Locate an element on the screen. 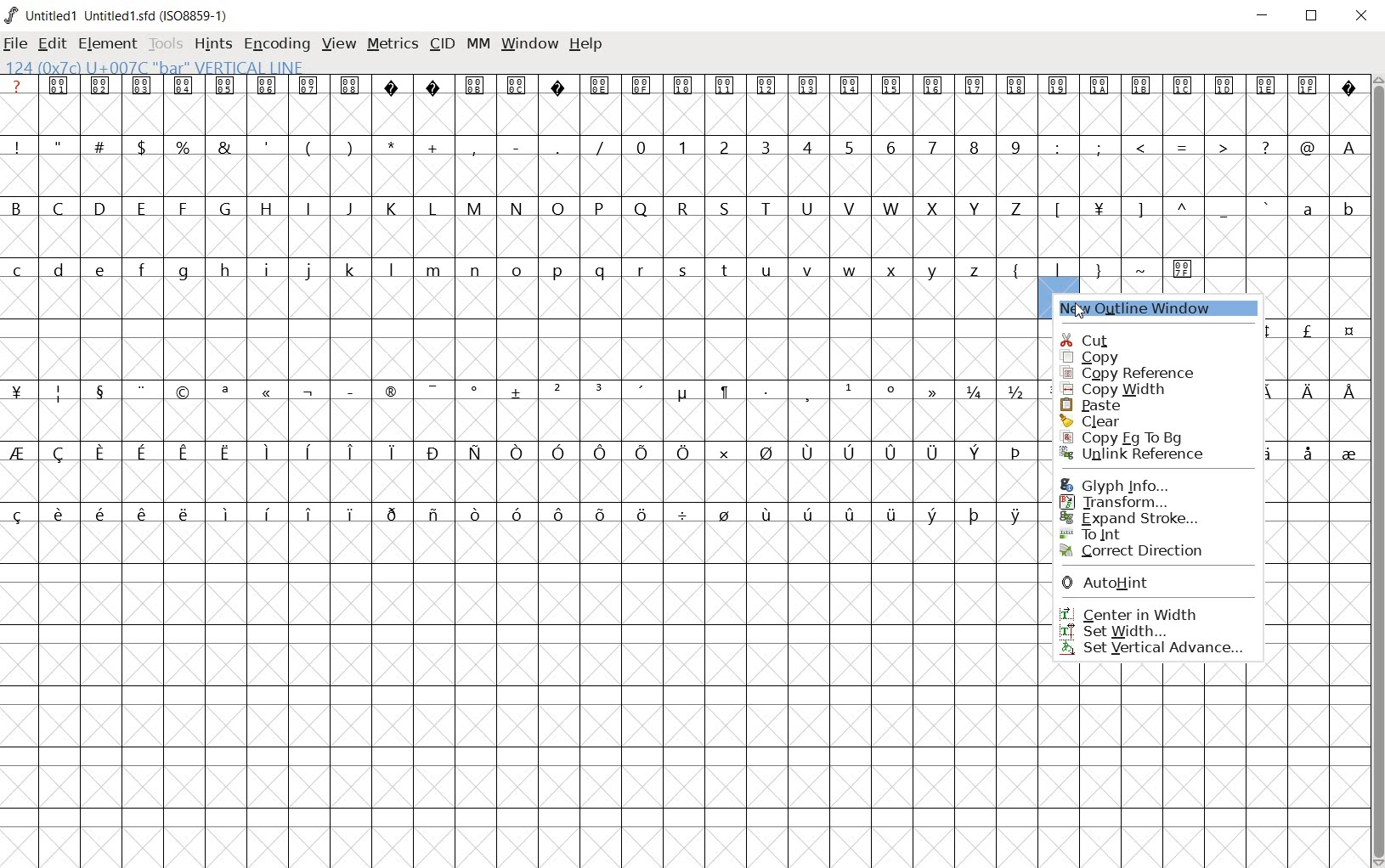 Image resolution: width=1385 pixels, height=868 pixels. copy reference is located at coordinates (1145, 373).